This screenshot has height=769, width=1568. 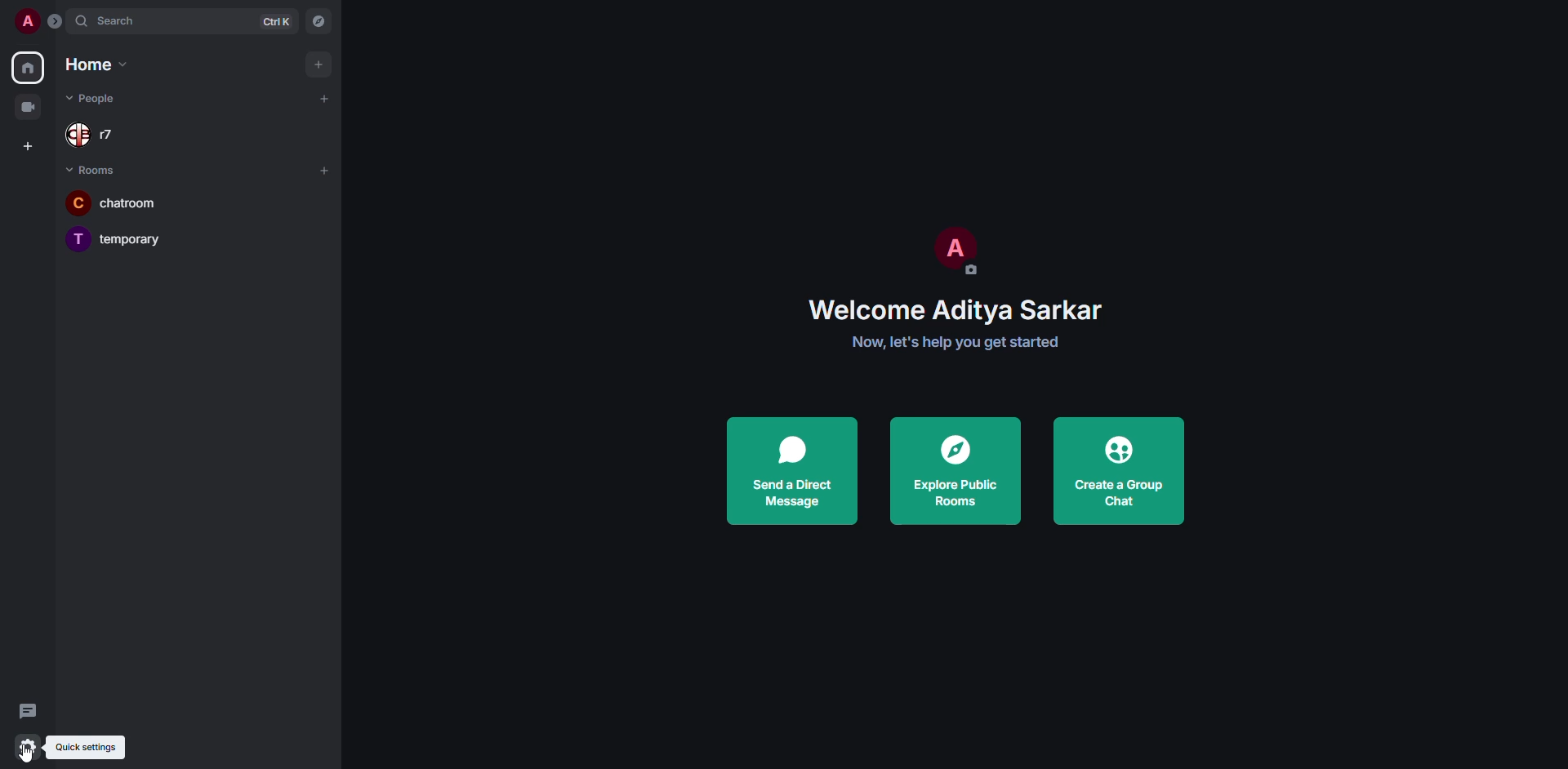 What do you see at coordinates (955, 309) in the screenshot?
I see `welcome` at bounding box center [955, 309].